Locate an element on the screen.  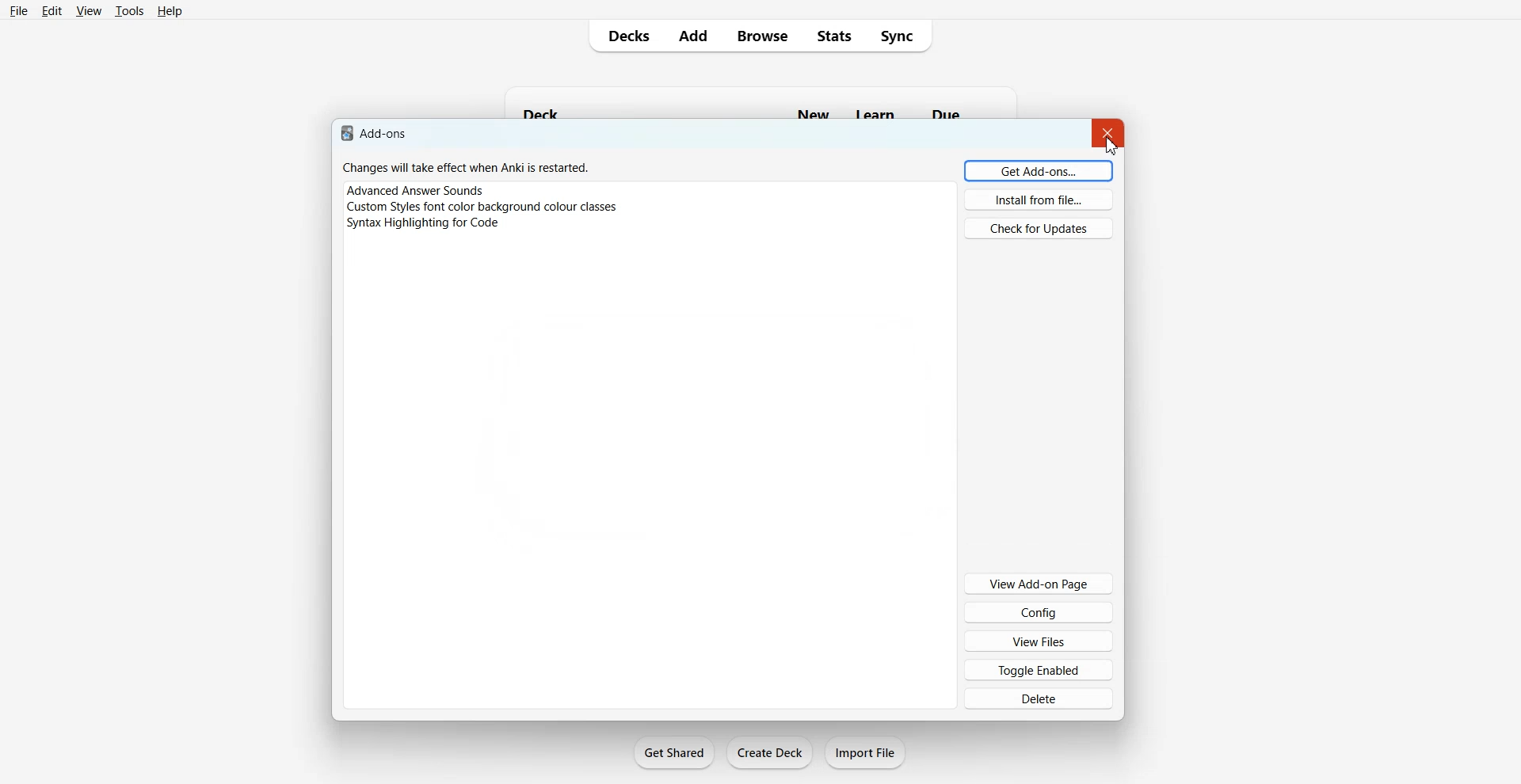
Browse is located at coordinates (763, 36).